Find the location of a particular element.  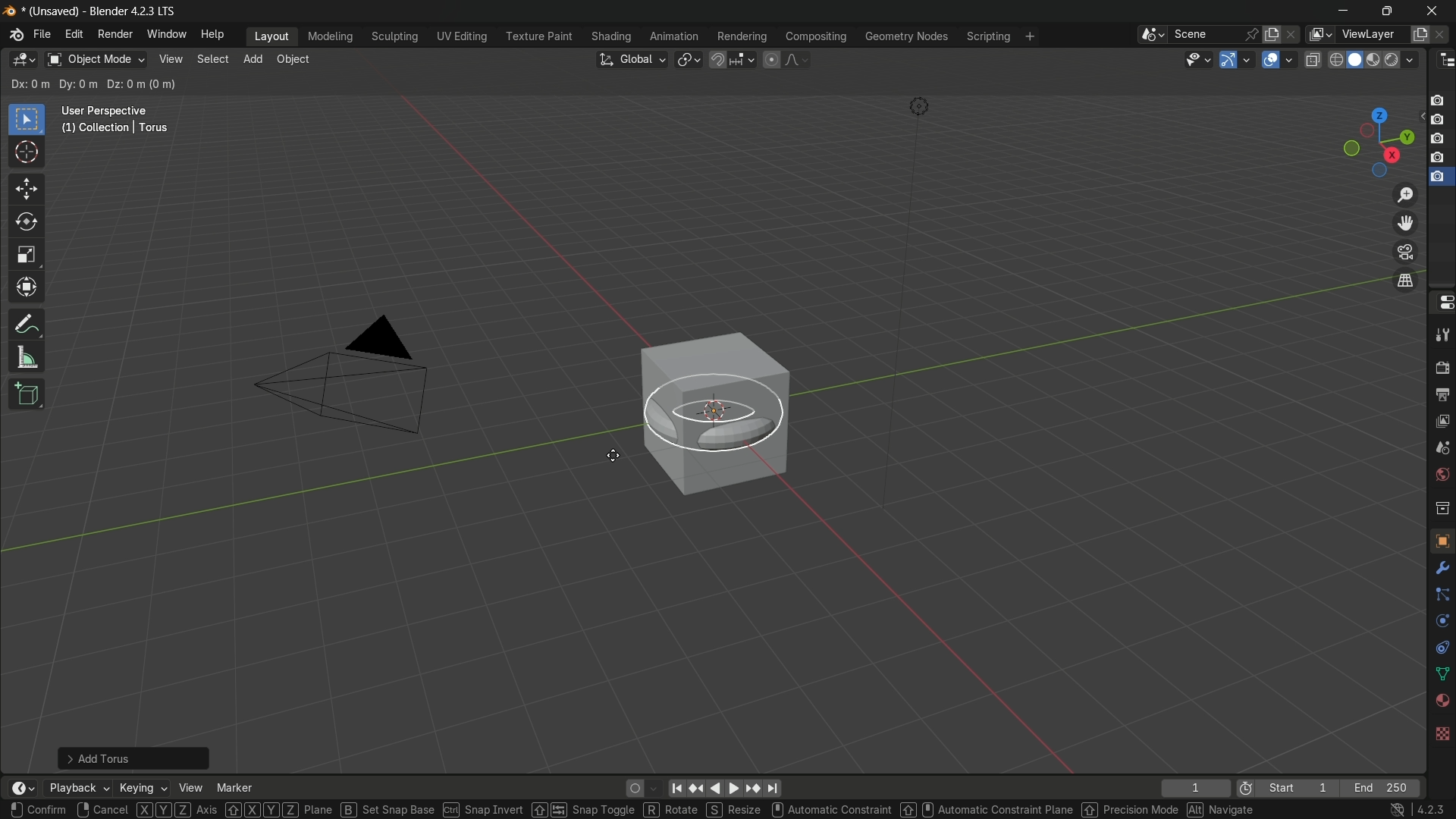

rotate is located at coordinates (27, 223).